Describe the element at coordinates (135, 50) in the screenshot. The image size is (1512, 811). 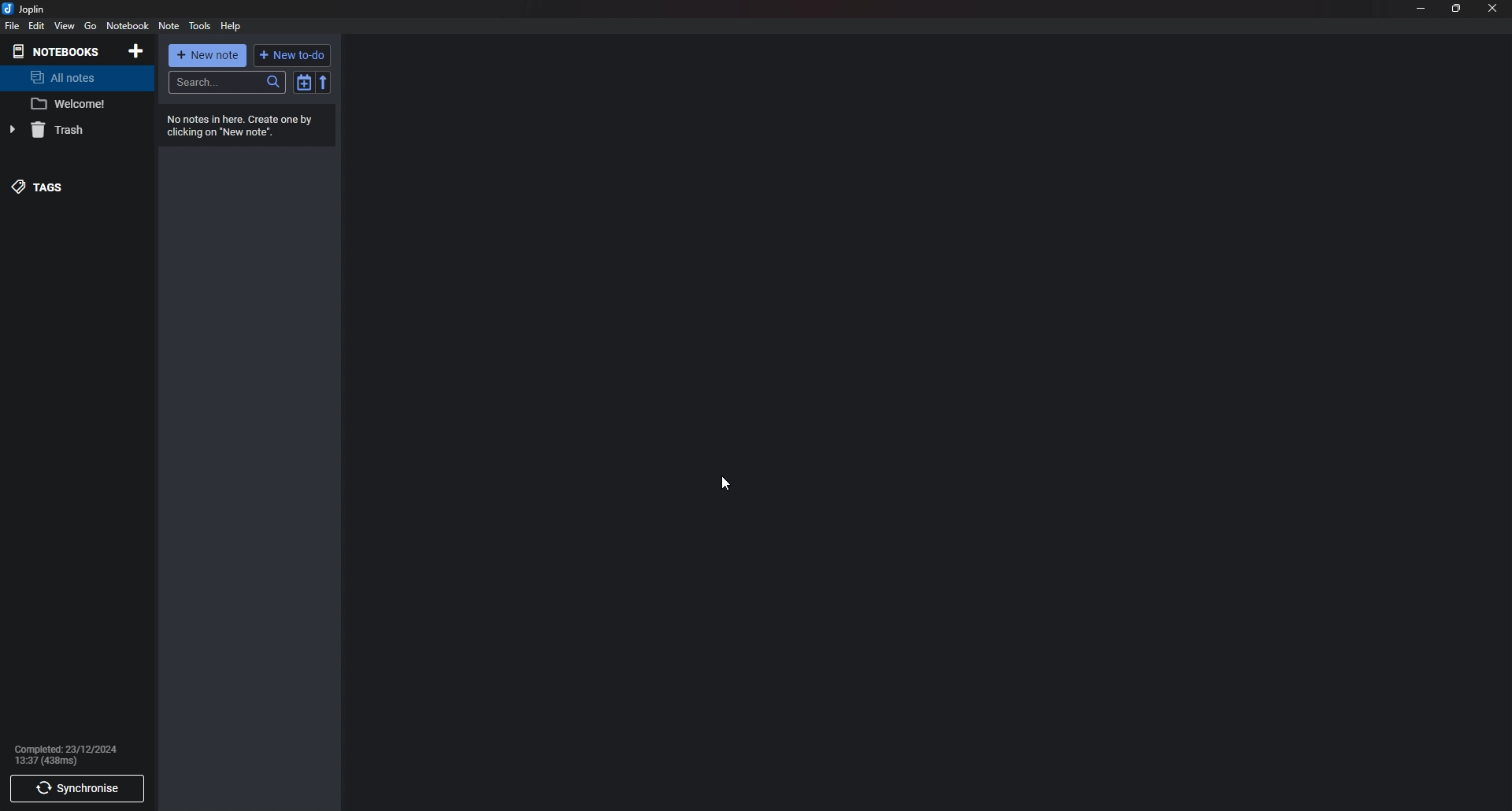
I see `Add notebooks` at that location.